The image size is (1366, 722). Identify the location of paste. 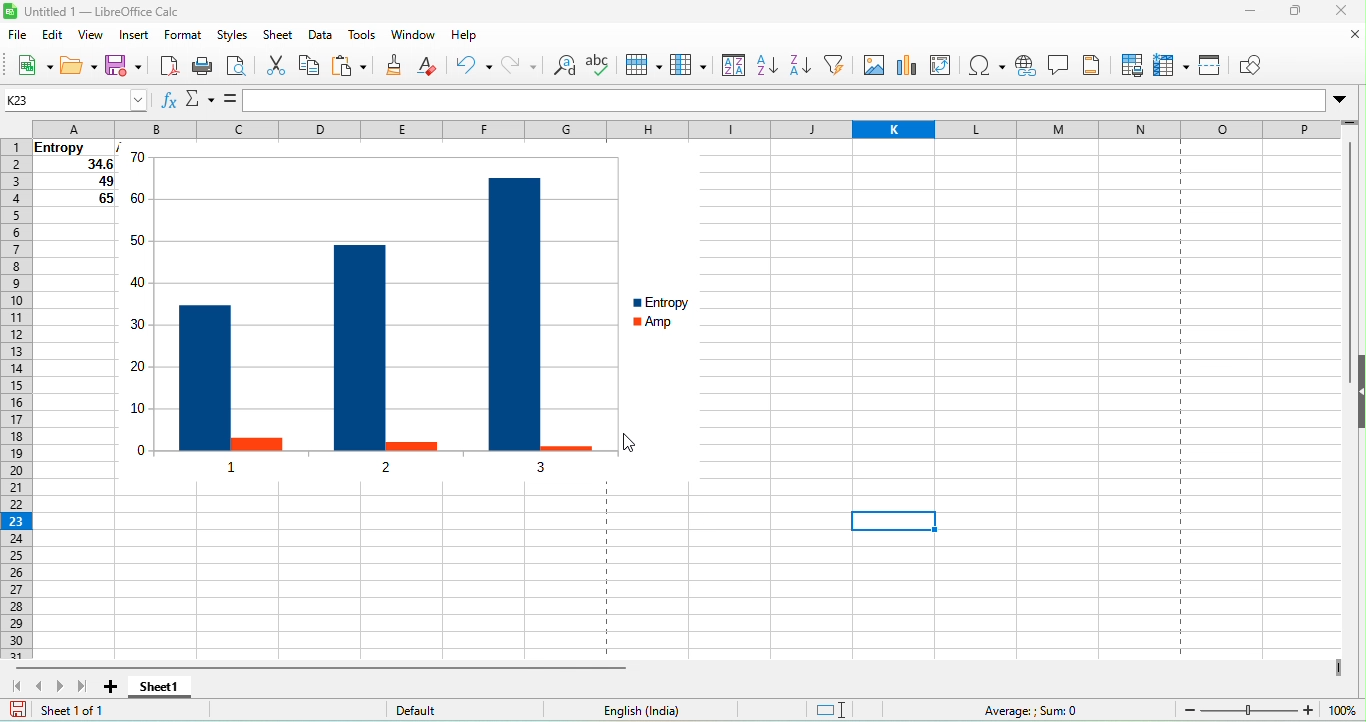
(355, 66).